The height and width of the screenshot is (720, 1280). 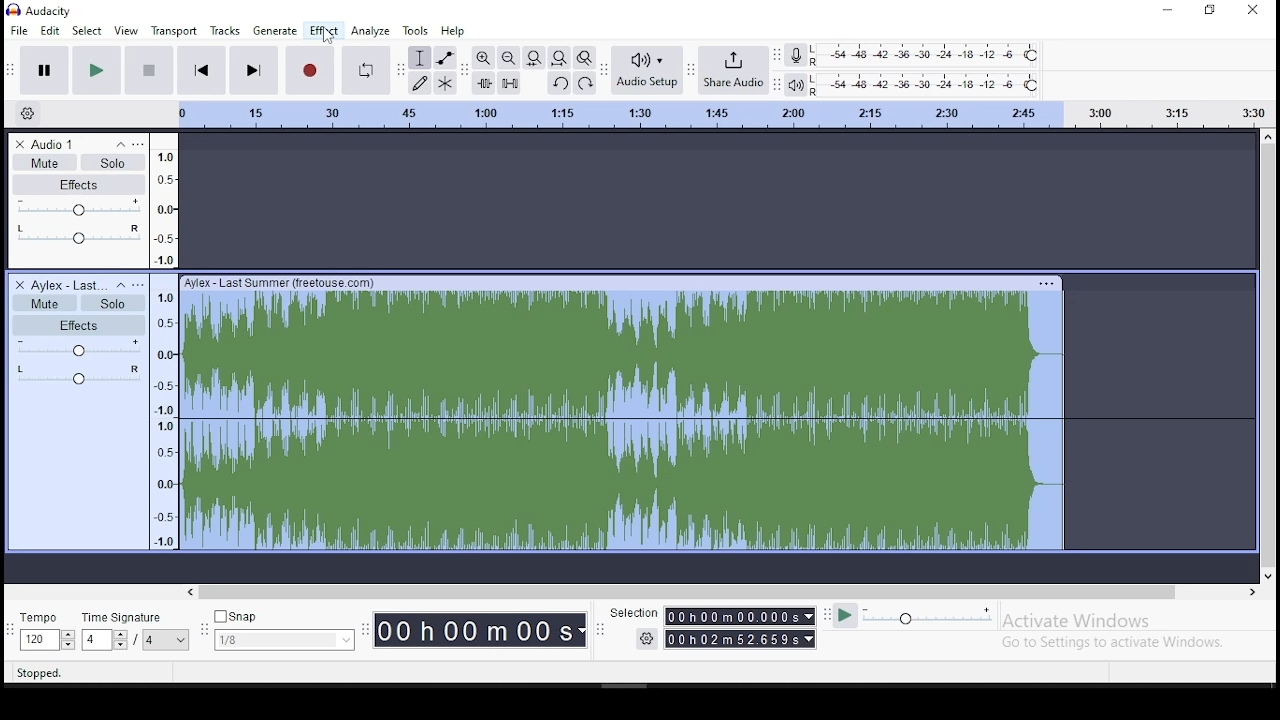 I want to click on selection, so click(x=713, y=627).